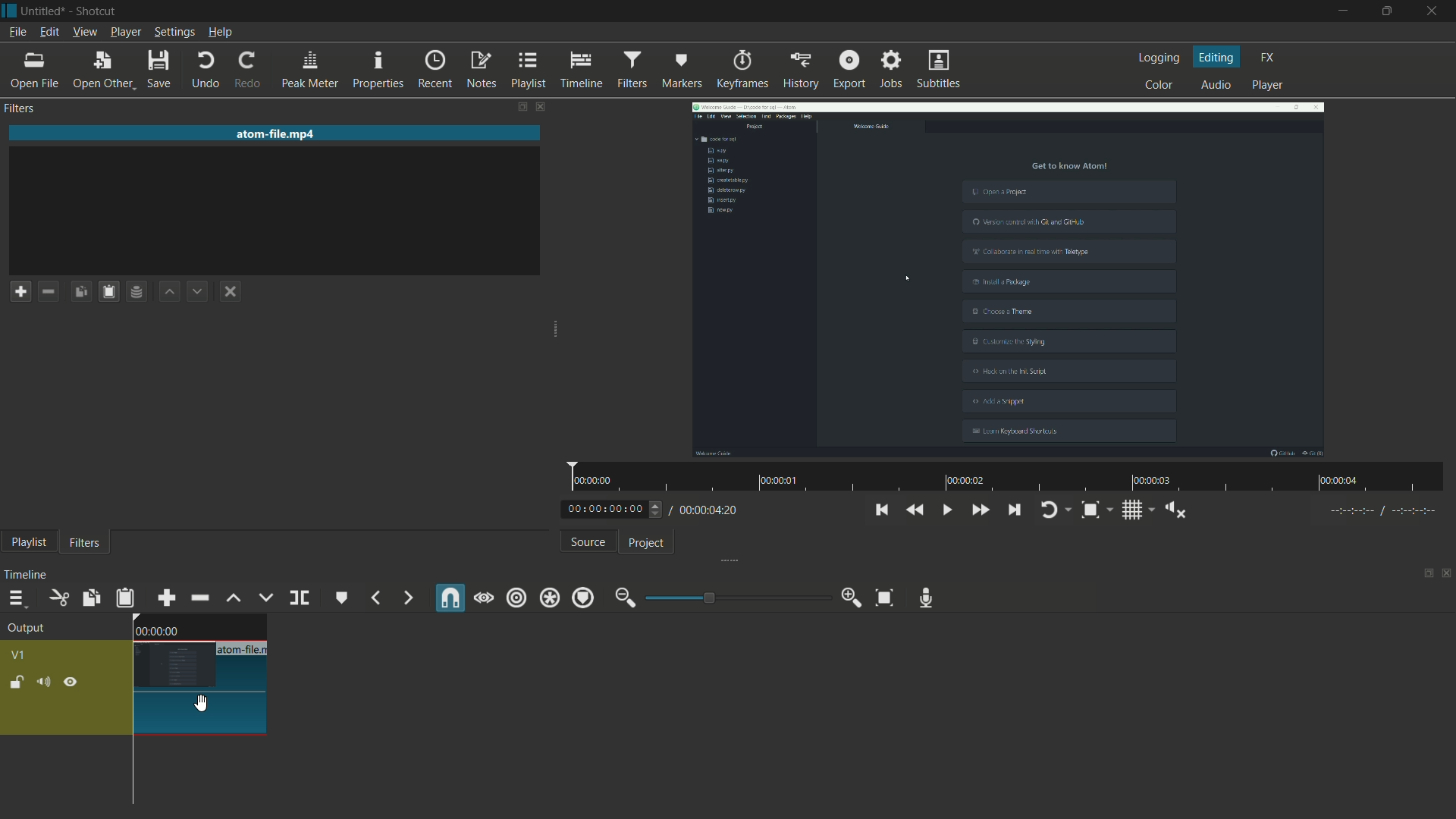  Describe the element at coordinates (1011, 478) in the screenshot. I see `time` at that location.